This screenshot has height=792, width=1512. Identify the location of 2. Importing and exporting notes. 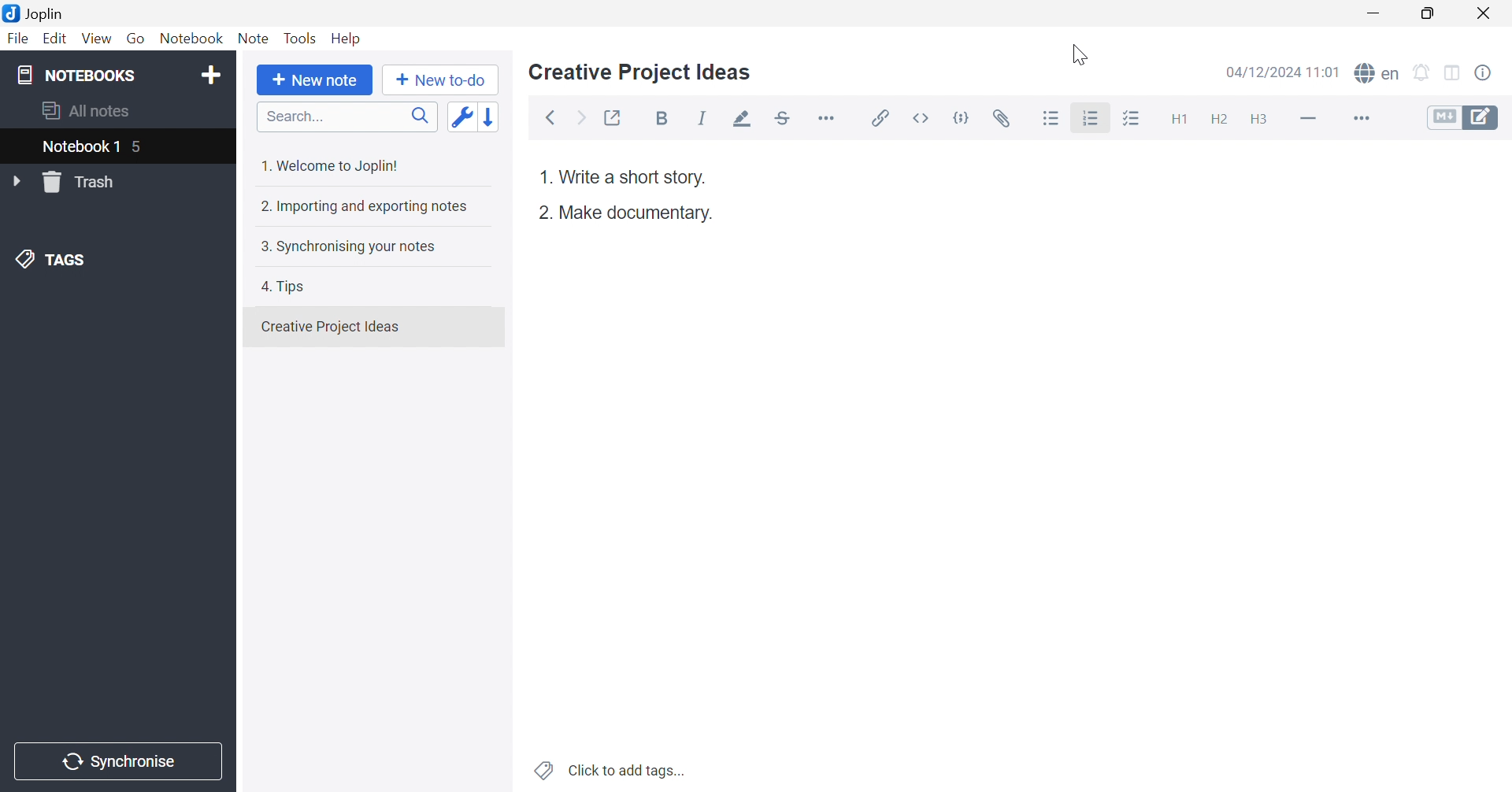
(367, 208).